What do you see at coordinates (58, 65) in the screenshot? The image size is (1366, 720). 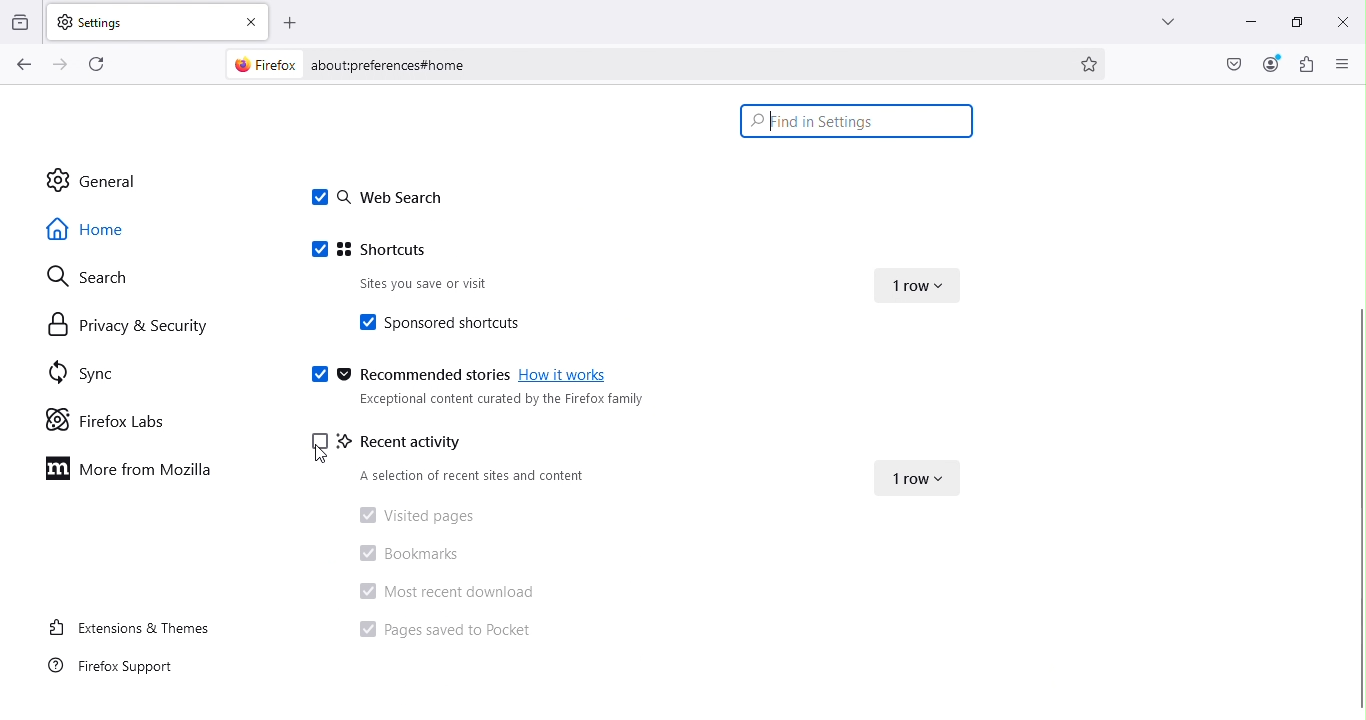 I see `Go forward one page` at bounding box center [58, 65].